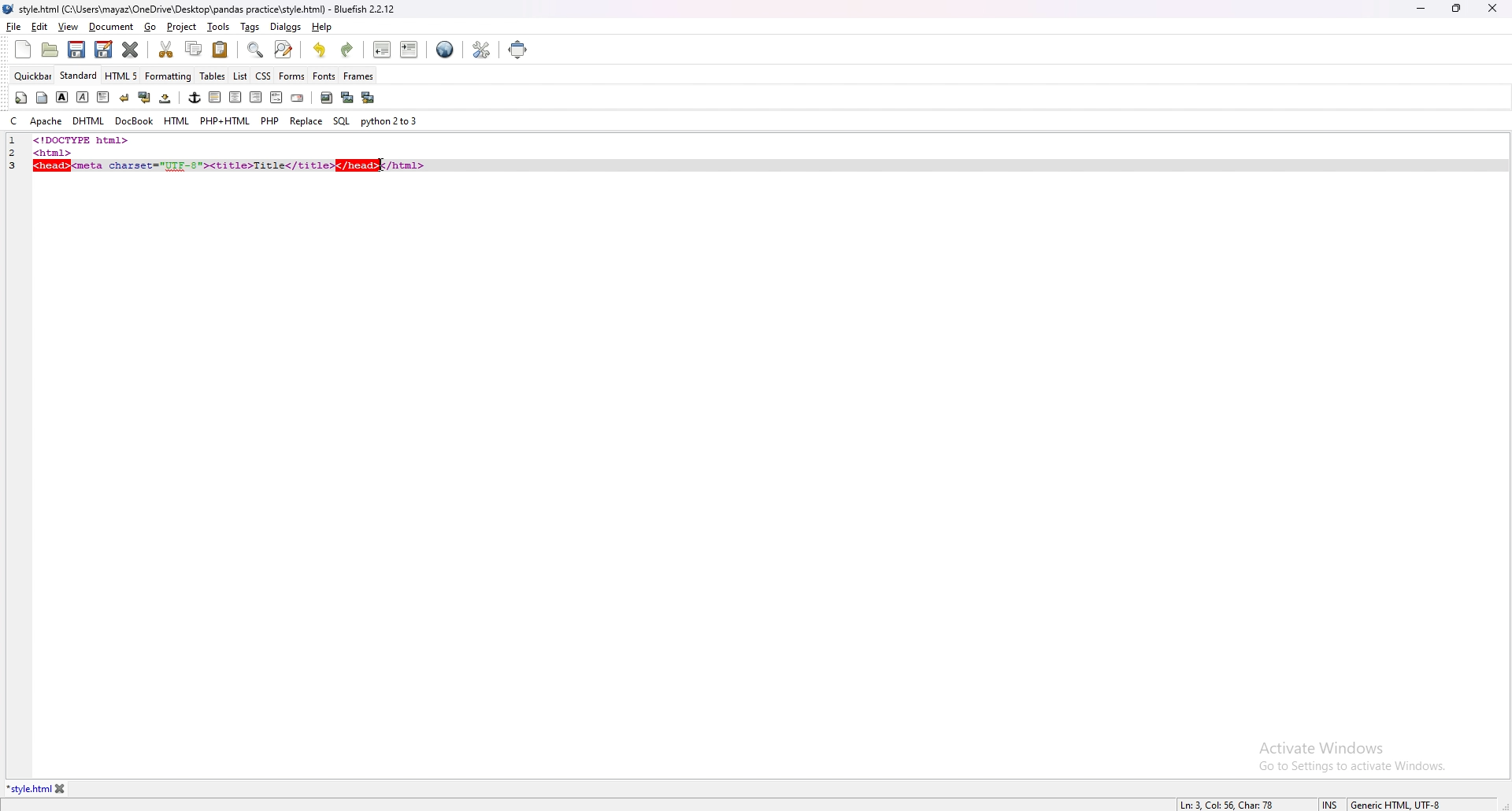 This screenshot has height=811, width=1512. I want to click on line number, so click(13, 141).